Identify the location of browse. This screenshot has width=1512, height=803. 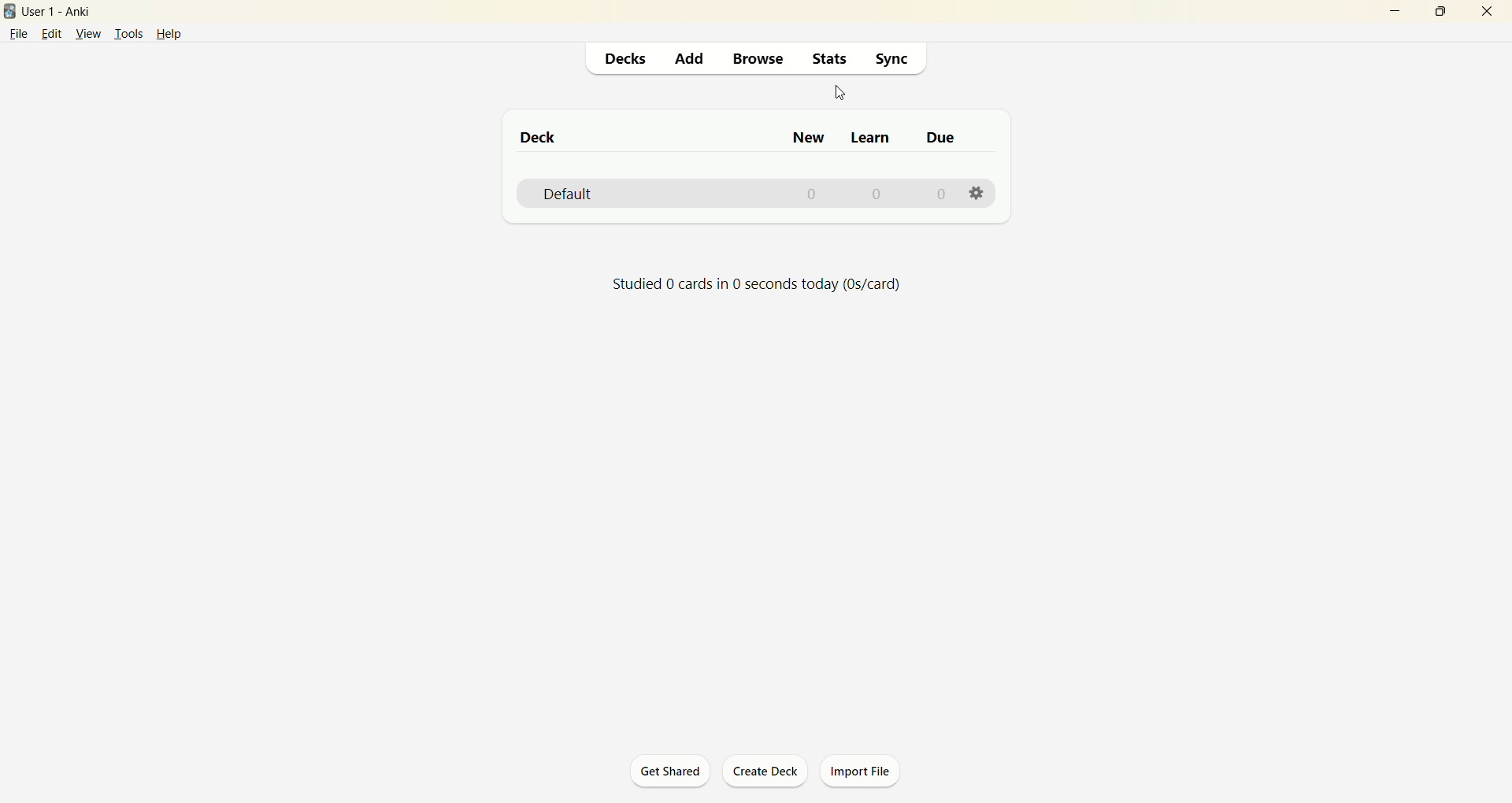
(759, 60).